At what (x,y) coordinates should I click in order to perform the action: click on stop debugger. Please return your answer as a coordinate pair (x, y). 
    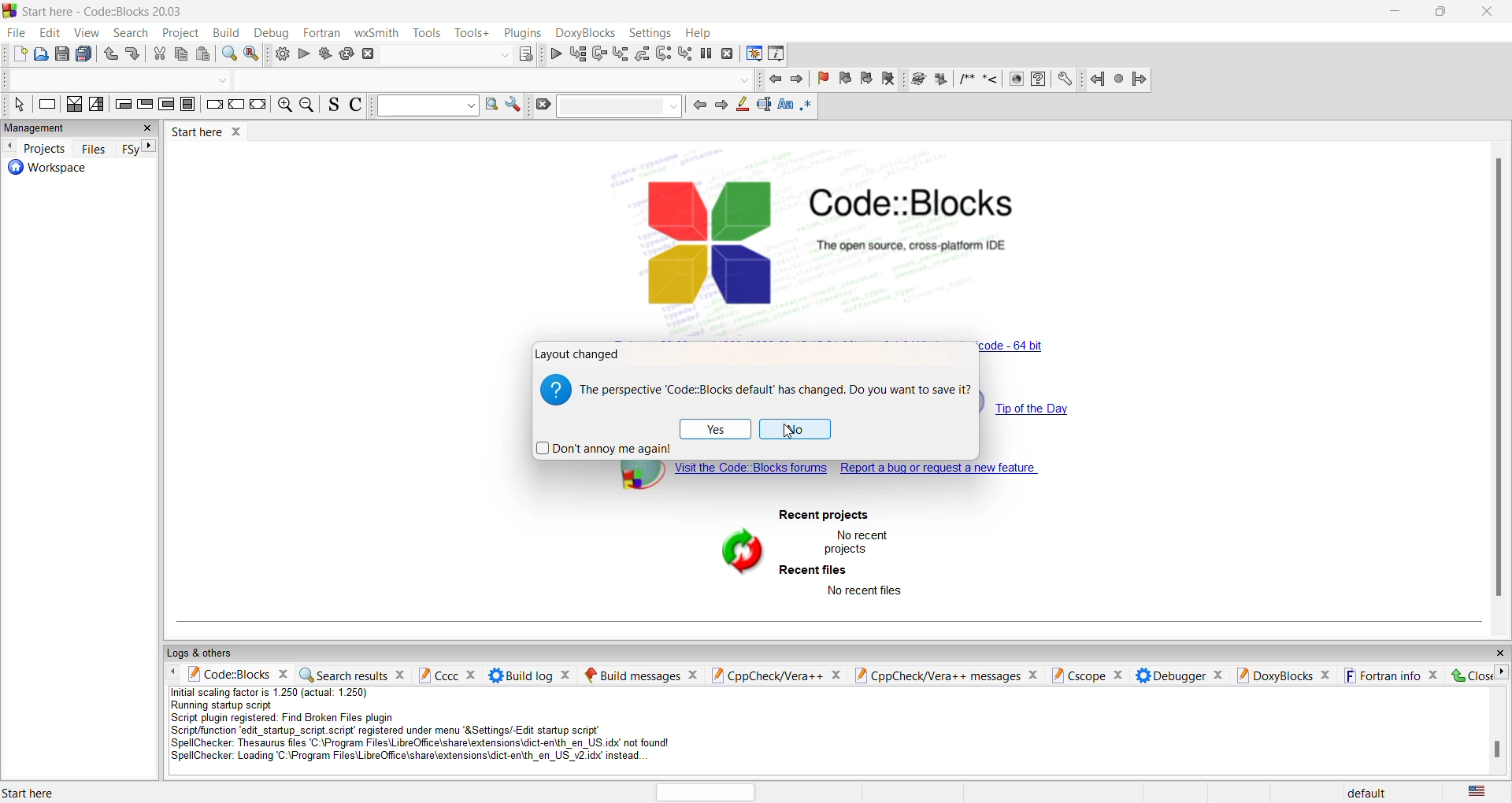
    Looking at the image, I should click on (728, 54).